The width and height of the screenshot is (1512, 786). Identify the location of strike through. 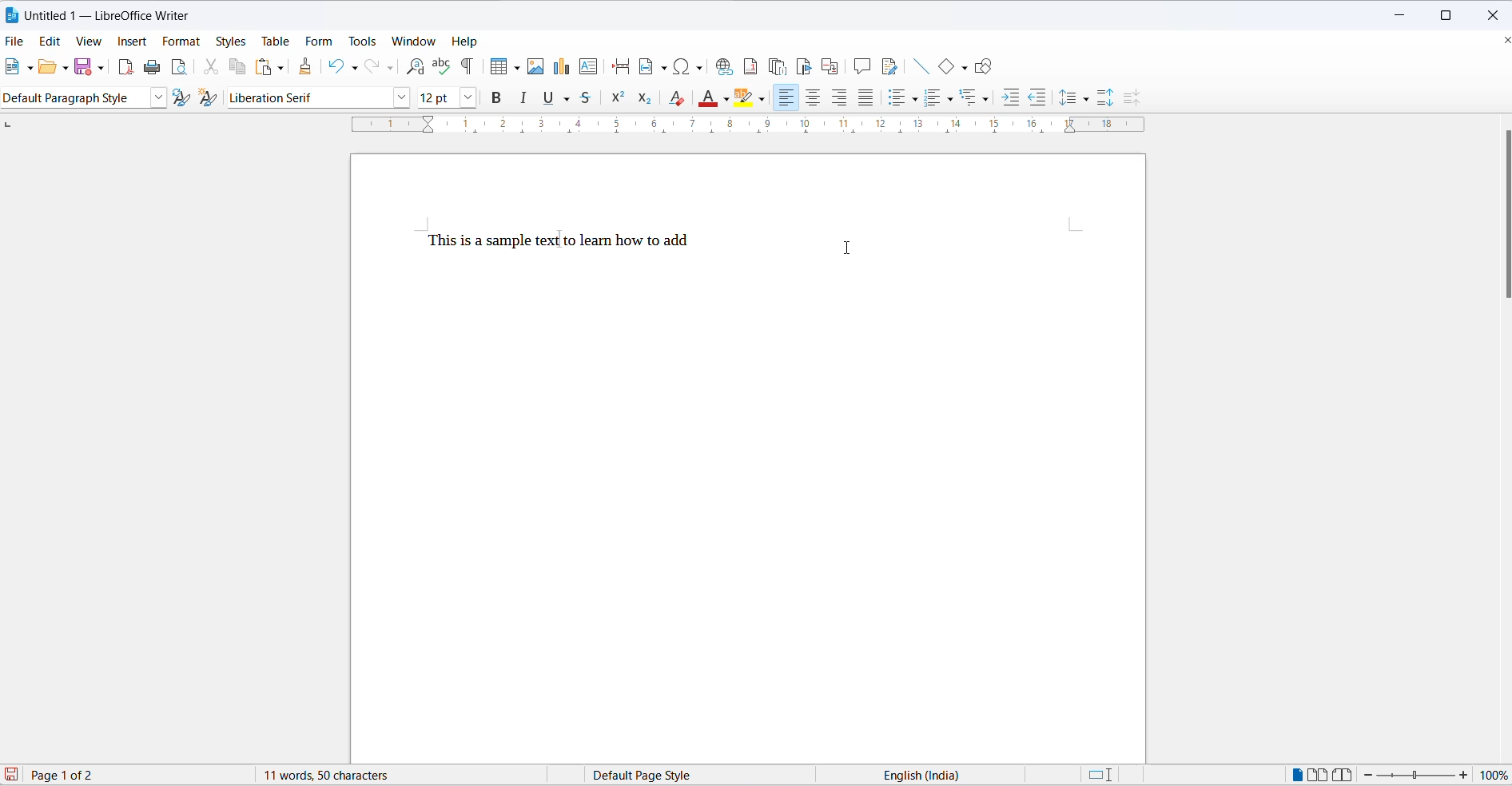
(591, 100).